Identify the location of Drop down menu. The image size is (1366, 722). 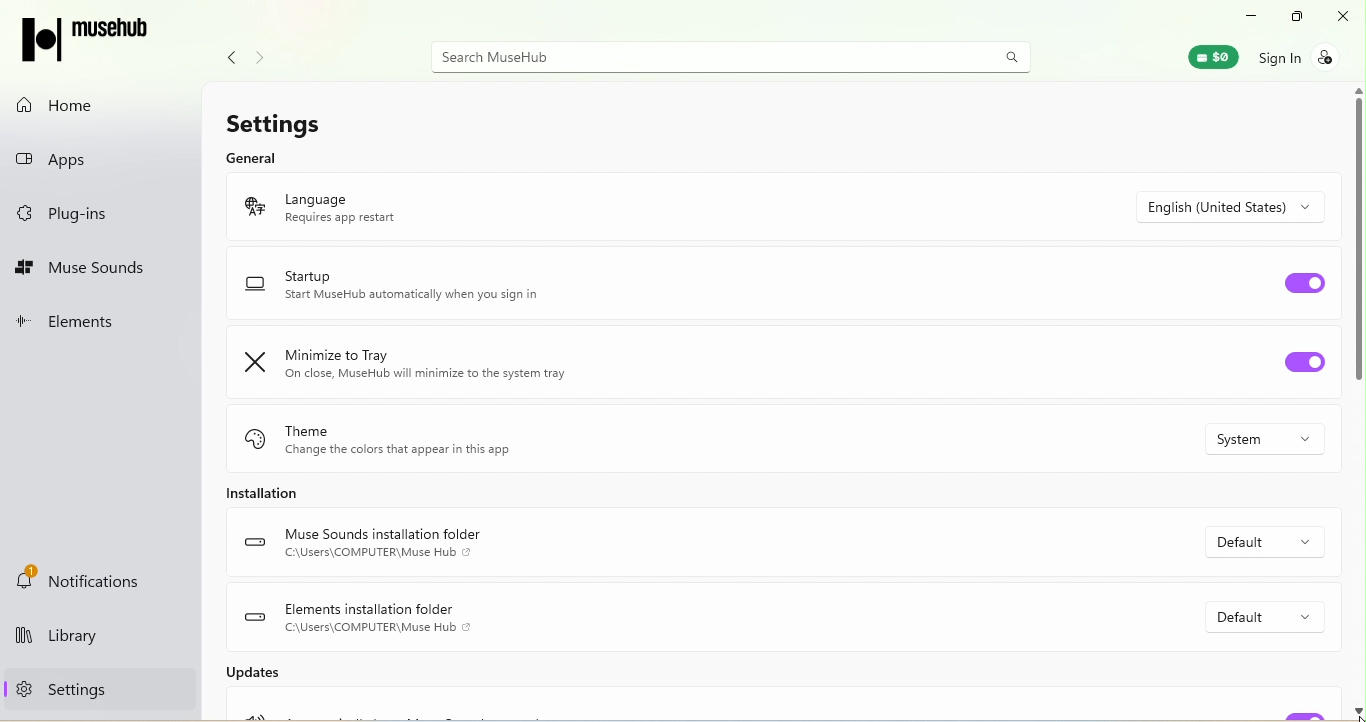
(1256, 541).